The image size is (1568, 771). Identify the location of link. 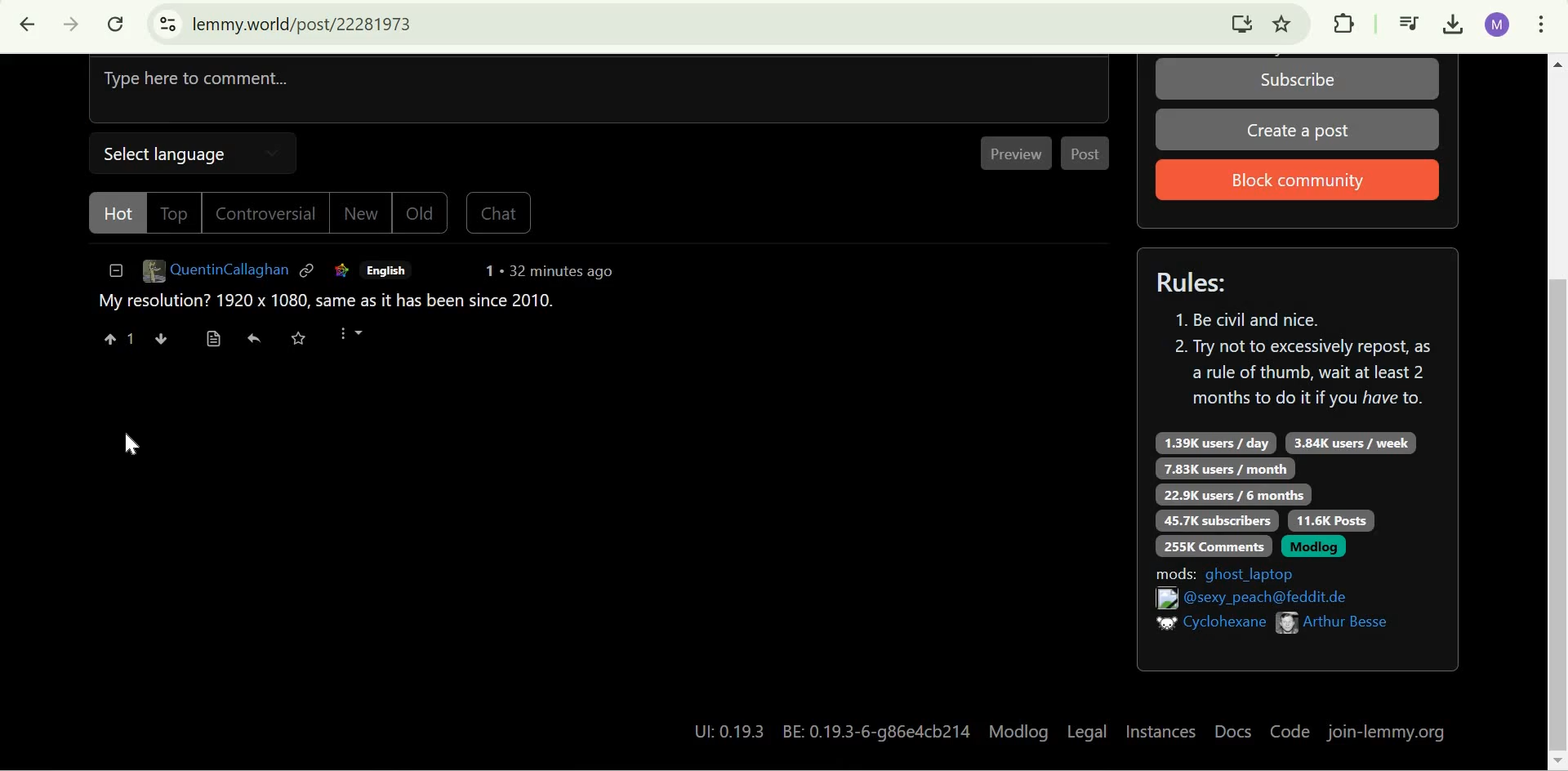
(310, 274).